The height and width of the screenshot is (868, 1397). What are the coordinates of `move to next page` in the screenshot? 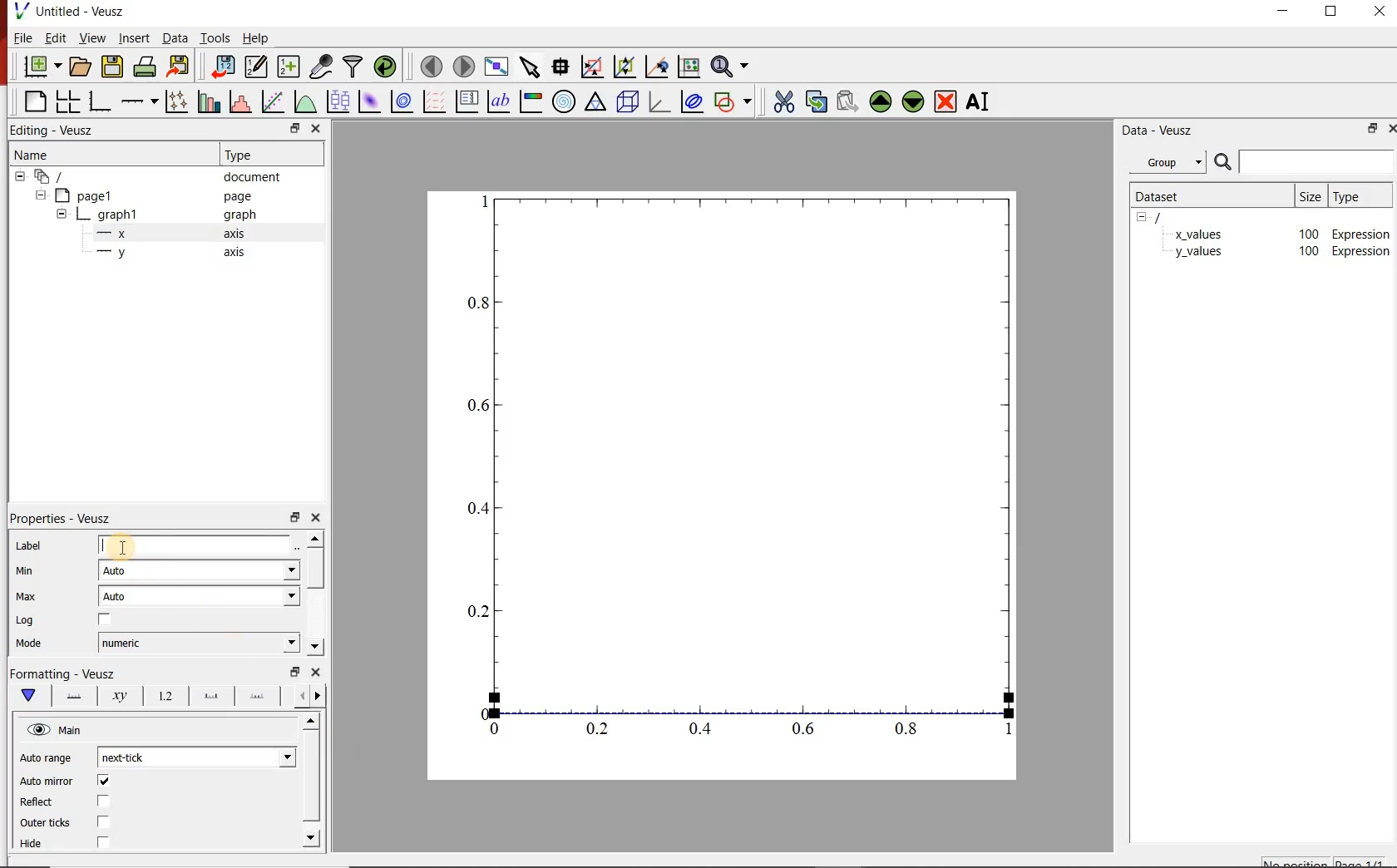 It's located at (465, 67).